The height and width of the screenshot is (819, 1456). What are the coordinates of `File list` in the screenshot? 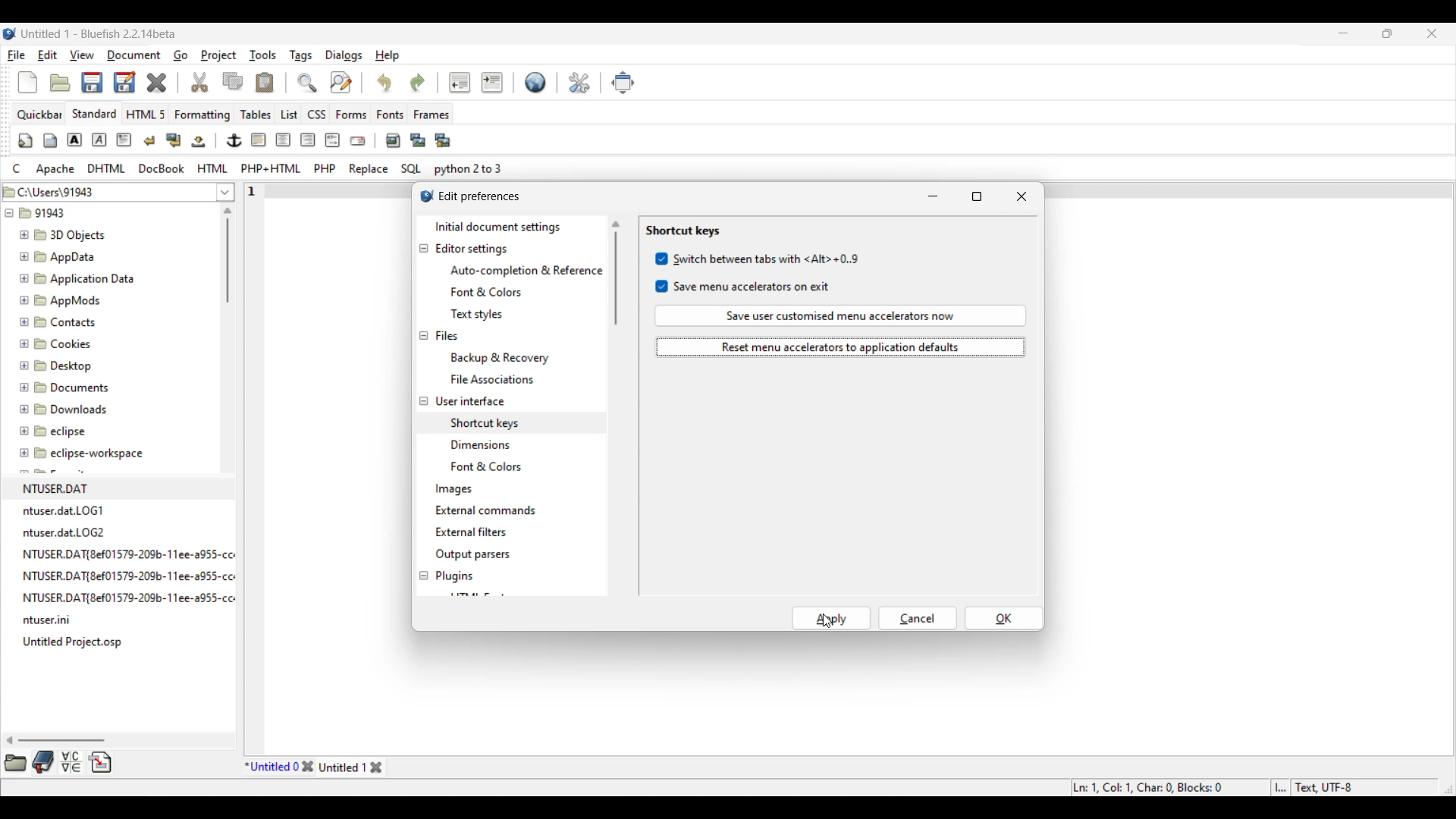 It's located at (226, 192).